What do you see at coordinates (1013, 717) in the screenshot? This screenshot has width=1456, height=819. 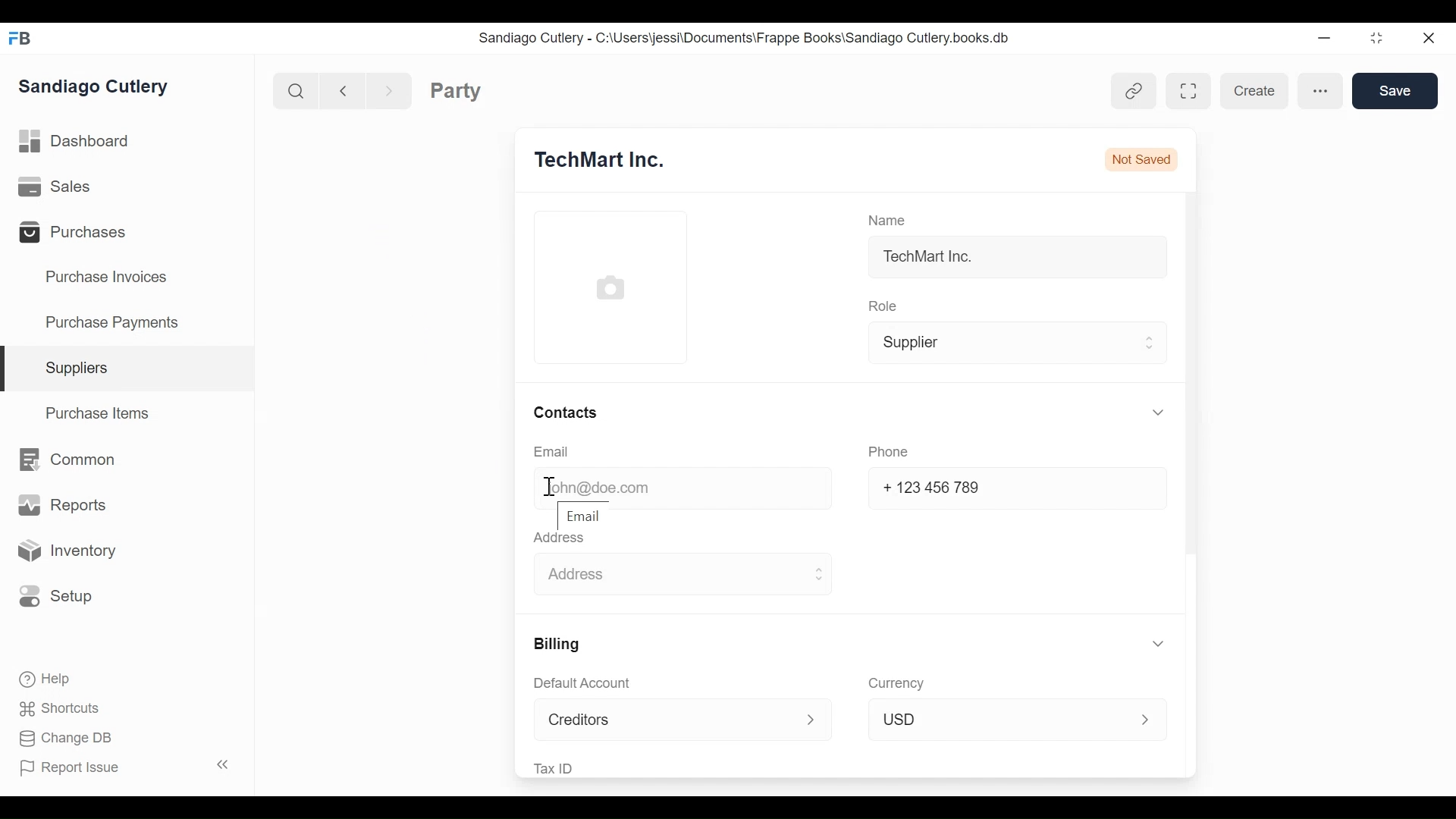 I see `USD` at bounding box center [1013, 717].